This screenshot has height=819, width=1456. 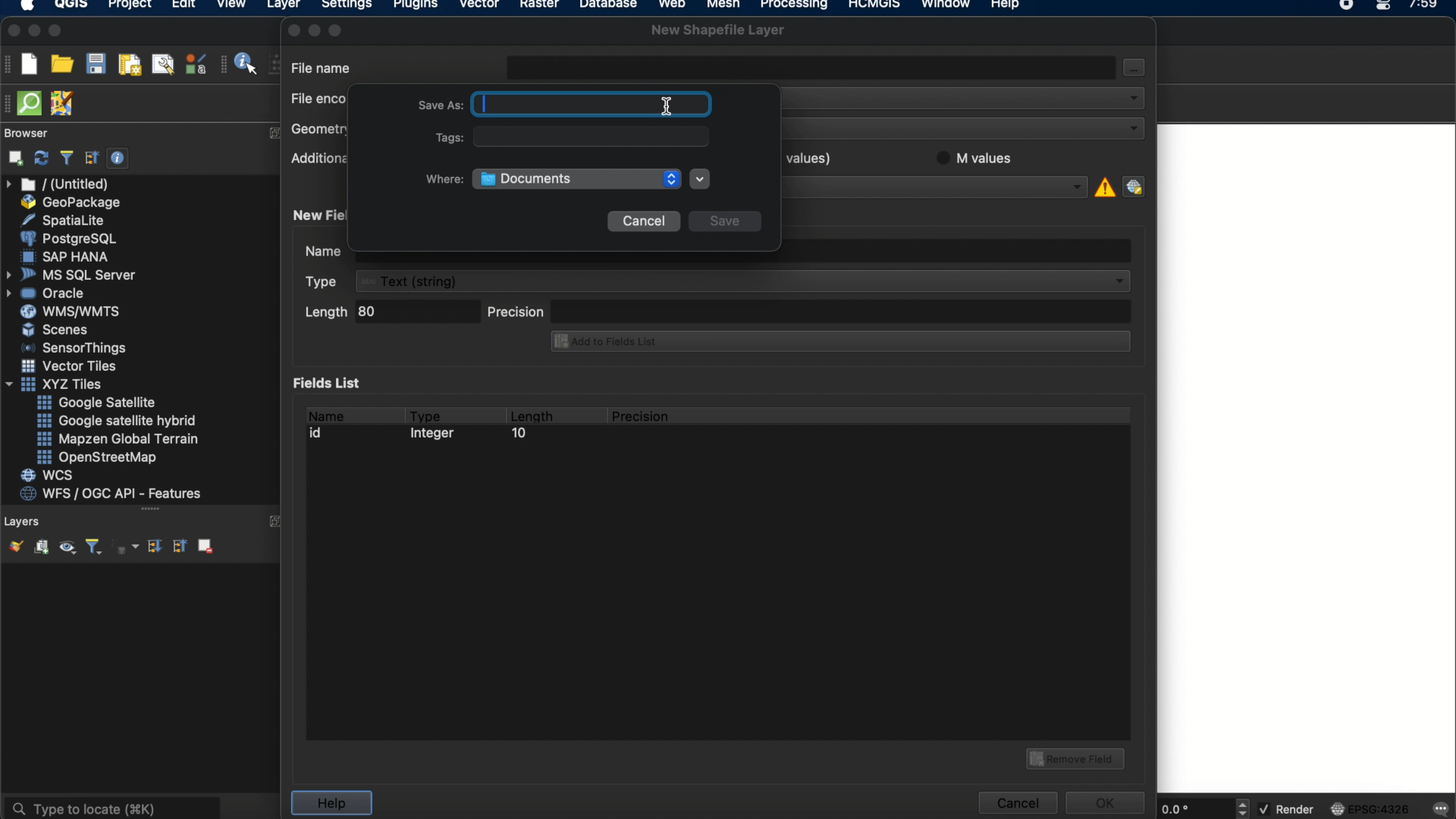 I want to click on add selected layers, so click(x=13, y=158).